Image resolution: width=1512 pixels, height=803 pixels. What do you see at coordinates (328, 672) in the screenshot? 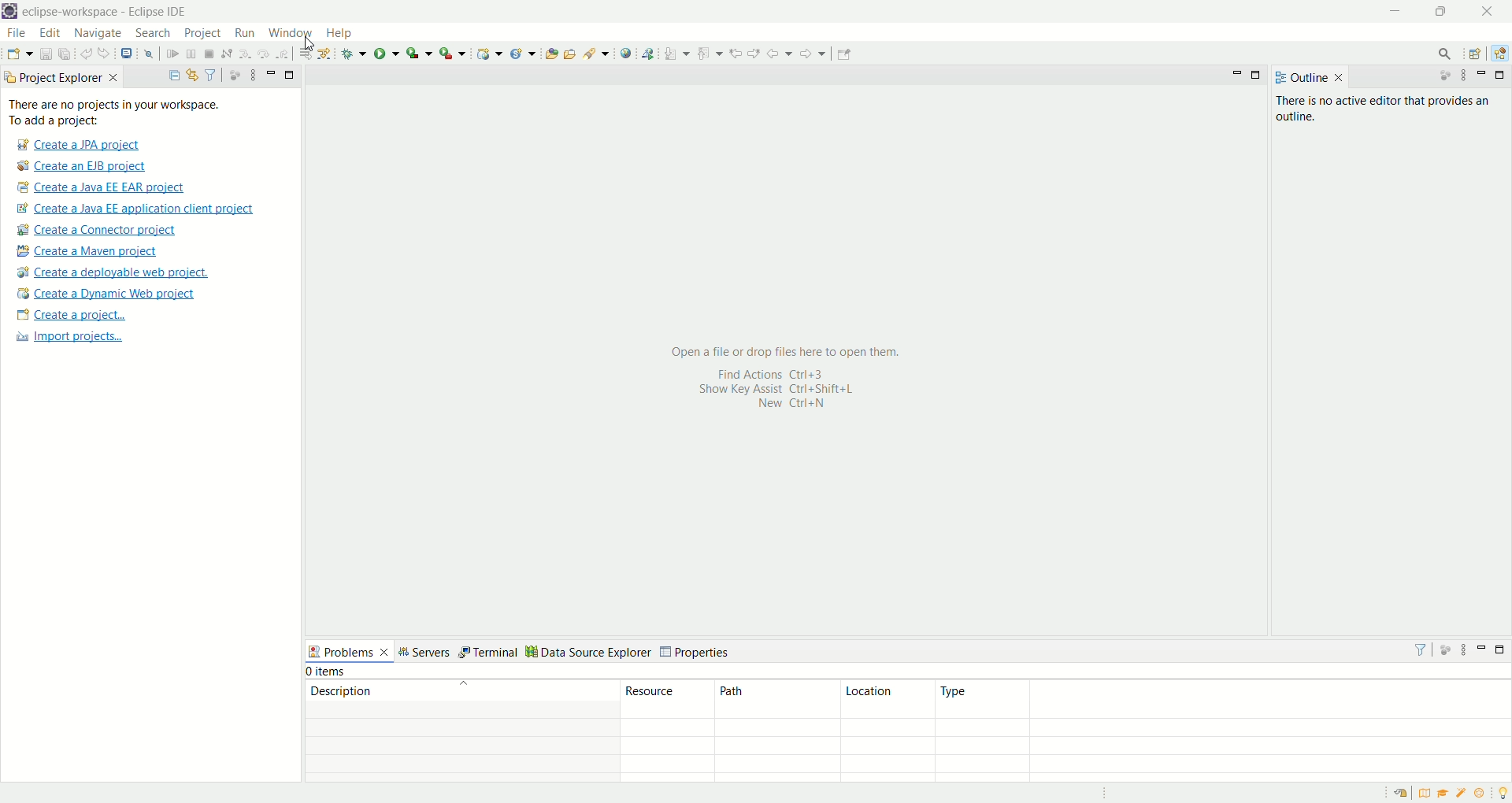
I see `items` at bounding box center [328, 672].